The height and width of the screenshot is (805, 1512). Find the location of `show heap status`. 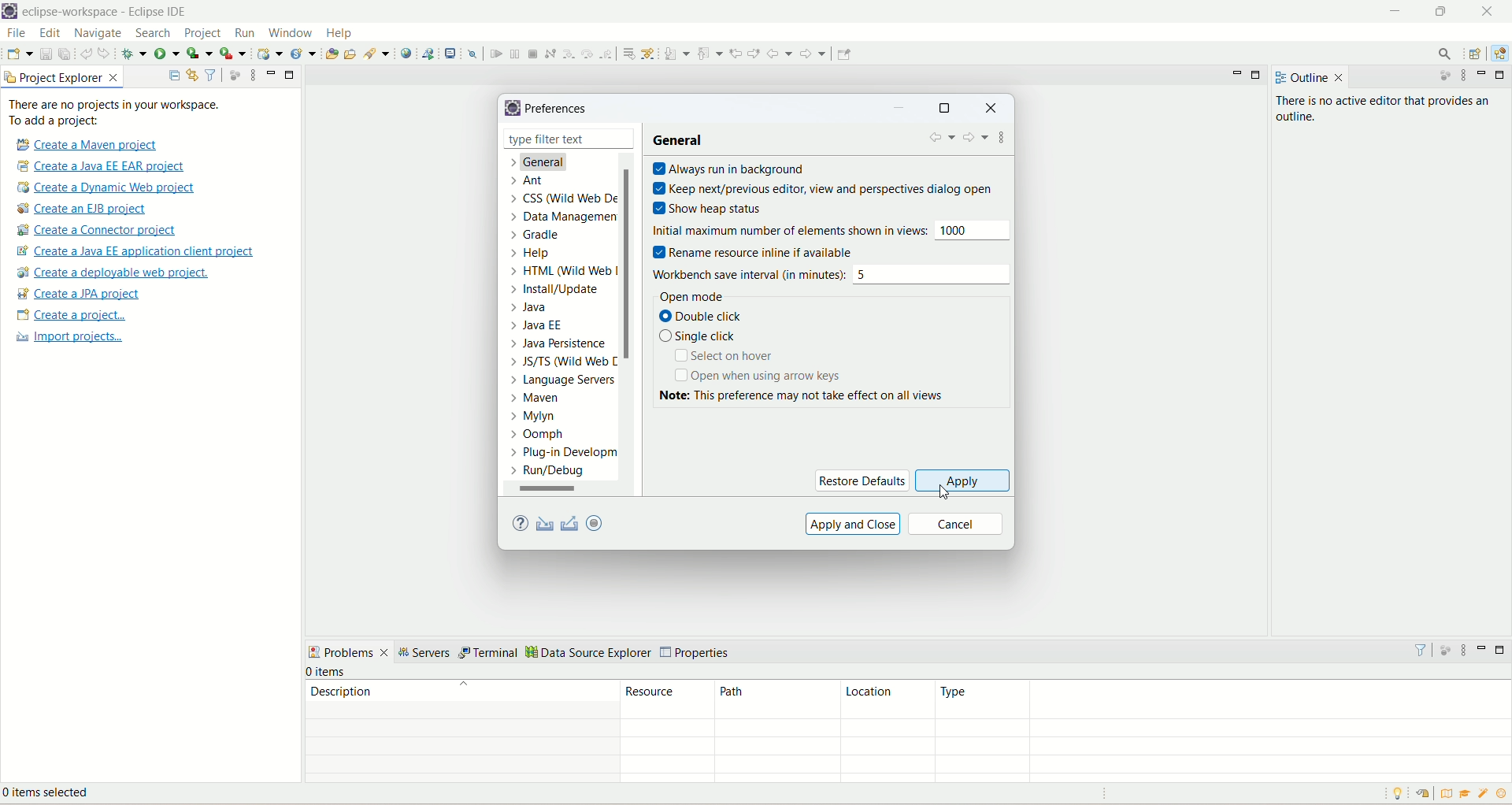

show heap status is located at coordinates (710, 206).